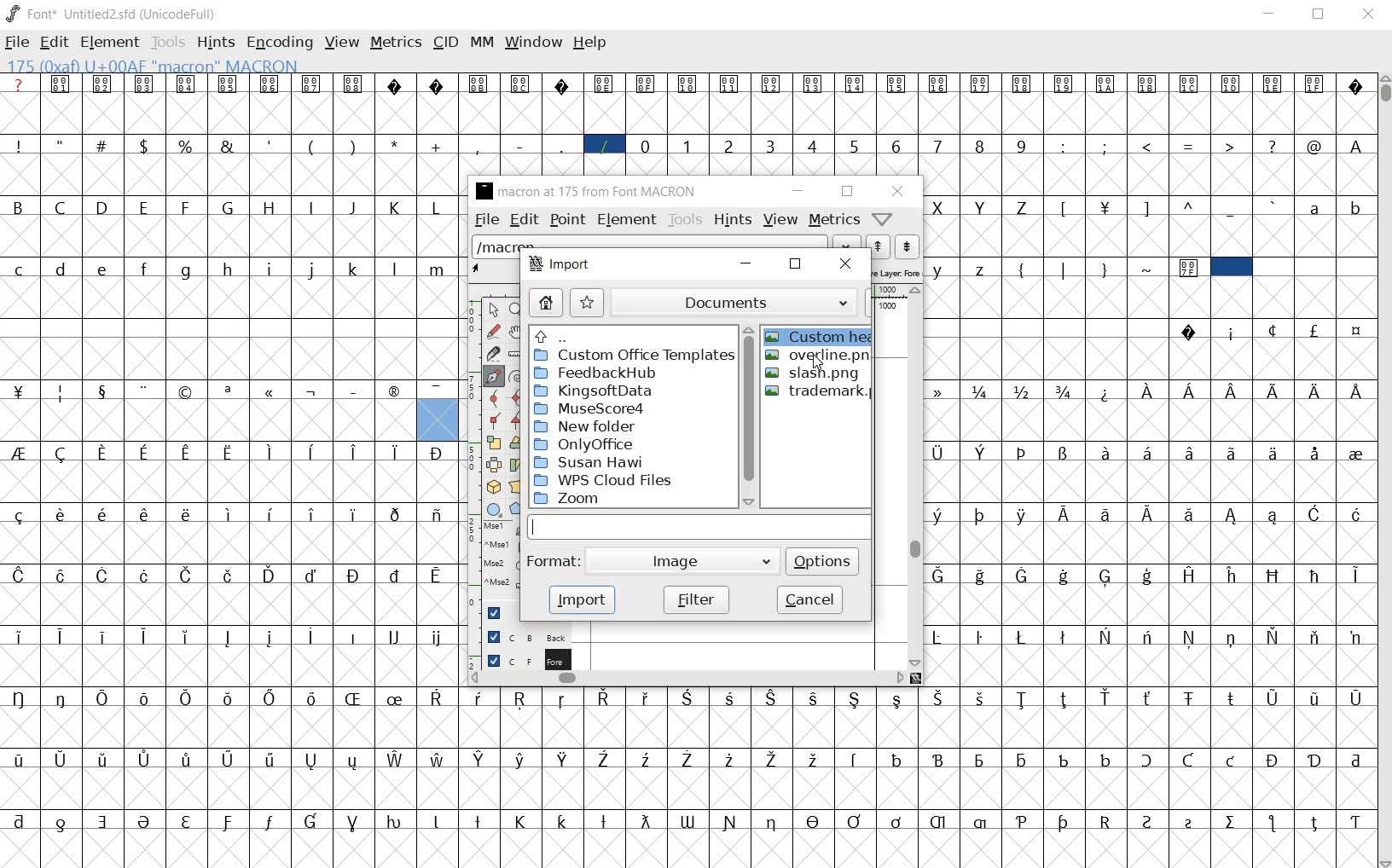 Image resolution: width=1392 pixels, height=868 pixels. Describe the element at coordinates (356, 513) in the screenshot. I see `Symbol` at that location.